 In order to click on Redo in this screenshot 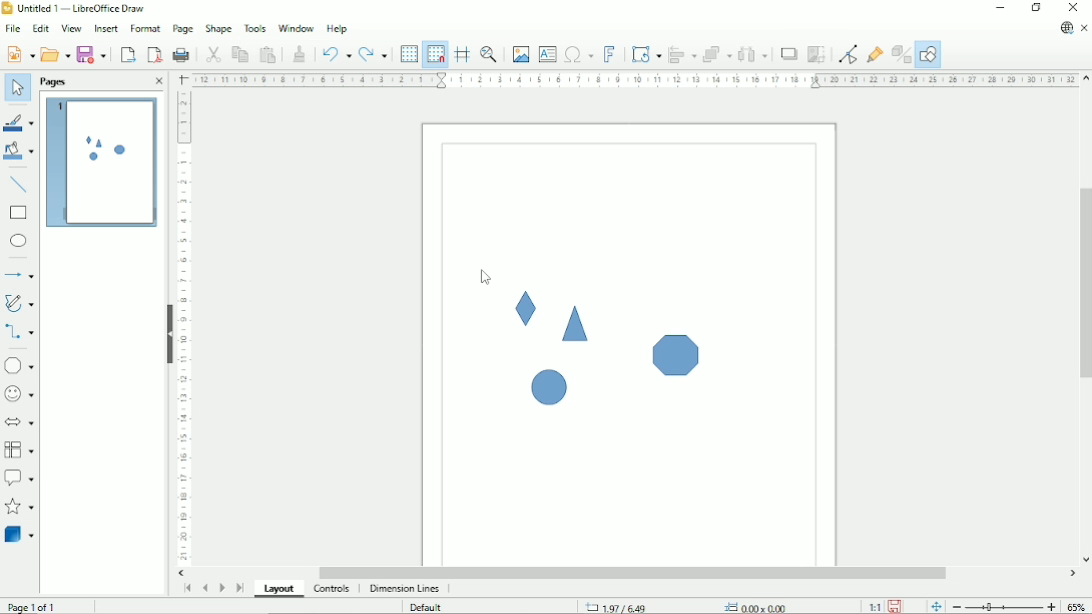, I will do `click(374, 55)`.